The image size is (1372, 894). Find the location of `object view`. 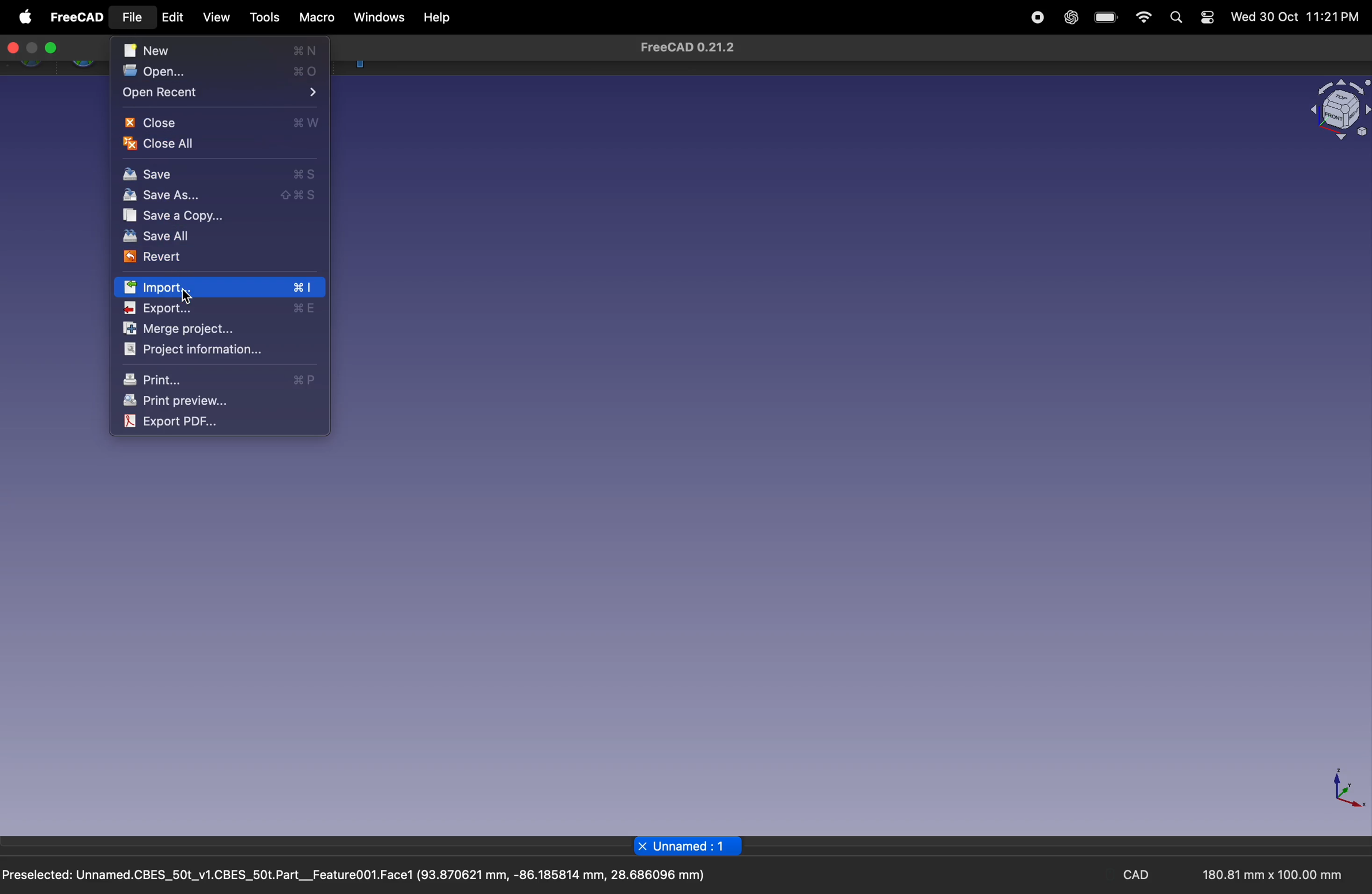

object view is located at coordinates (1337, 111).